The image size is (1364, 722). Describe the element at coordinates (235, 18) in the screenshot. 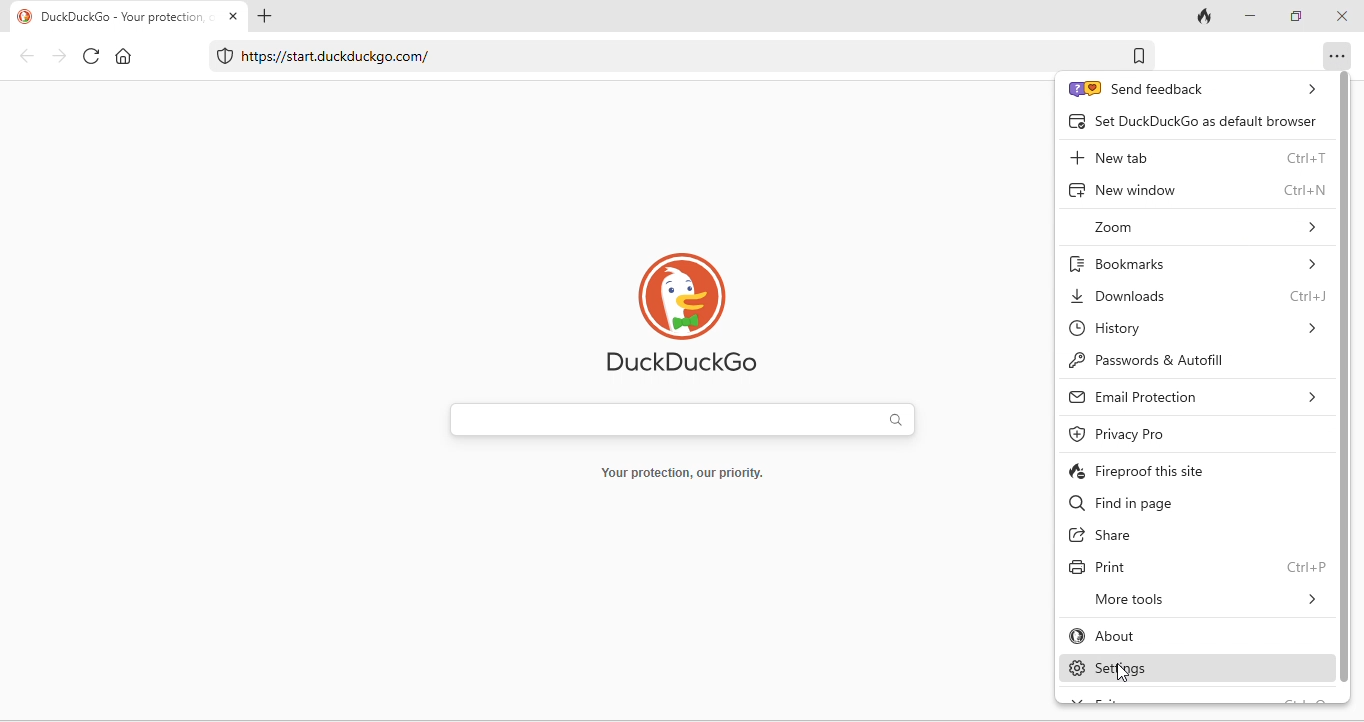

I see `close` at that location.